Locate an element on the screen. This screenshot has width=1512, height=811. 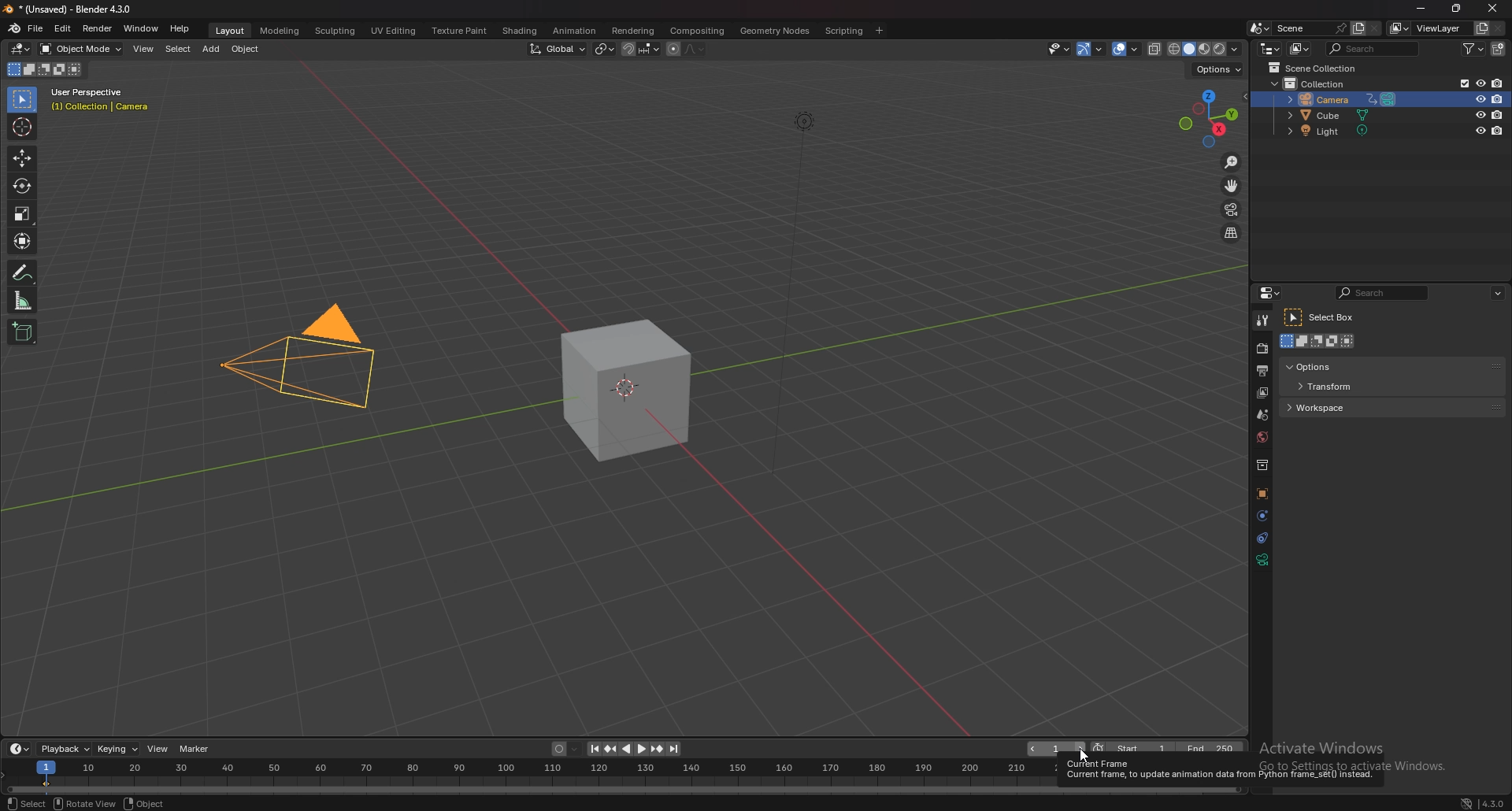
options is located at coordinates (1497, 291).